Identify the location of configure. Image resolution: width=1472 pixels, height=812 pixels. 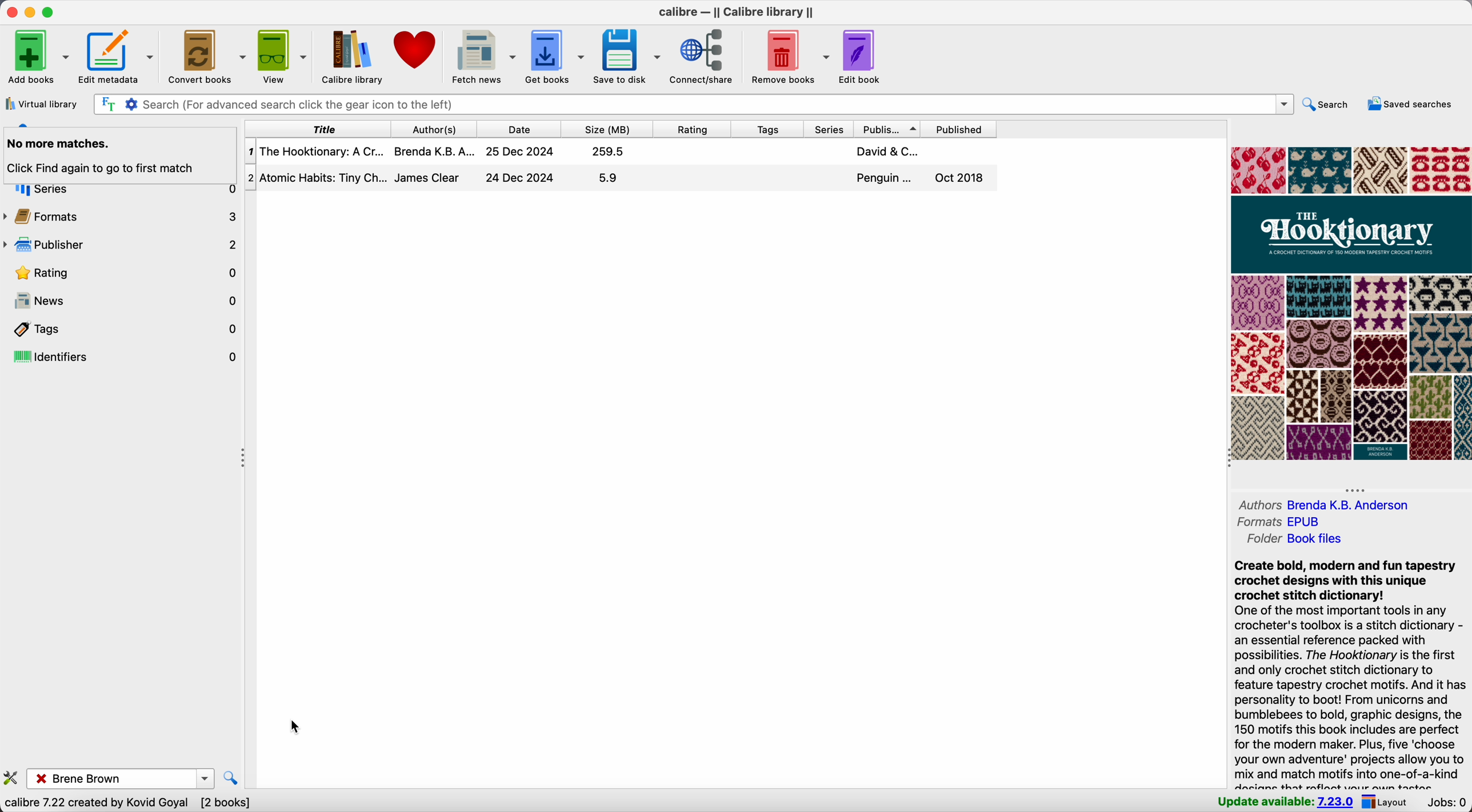
(12, 778).